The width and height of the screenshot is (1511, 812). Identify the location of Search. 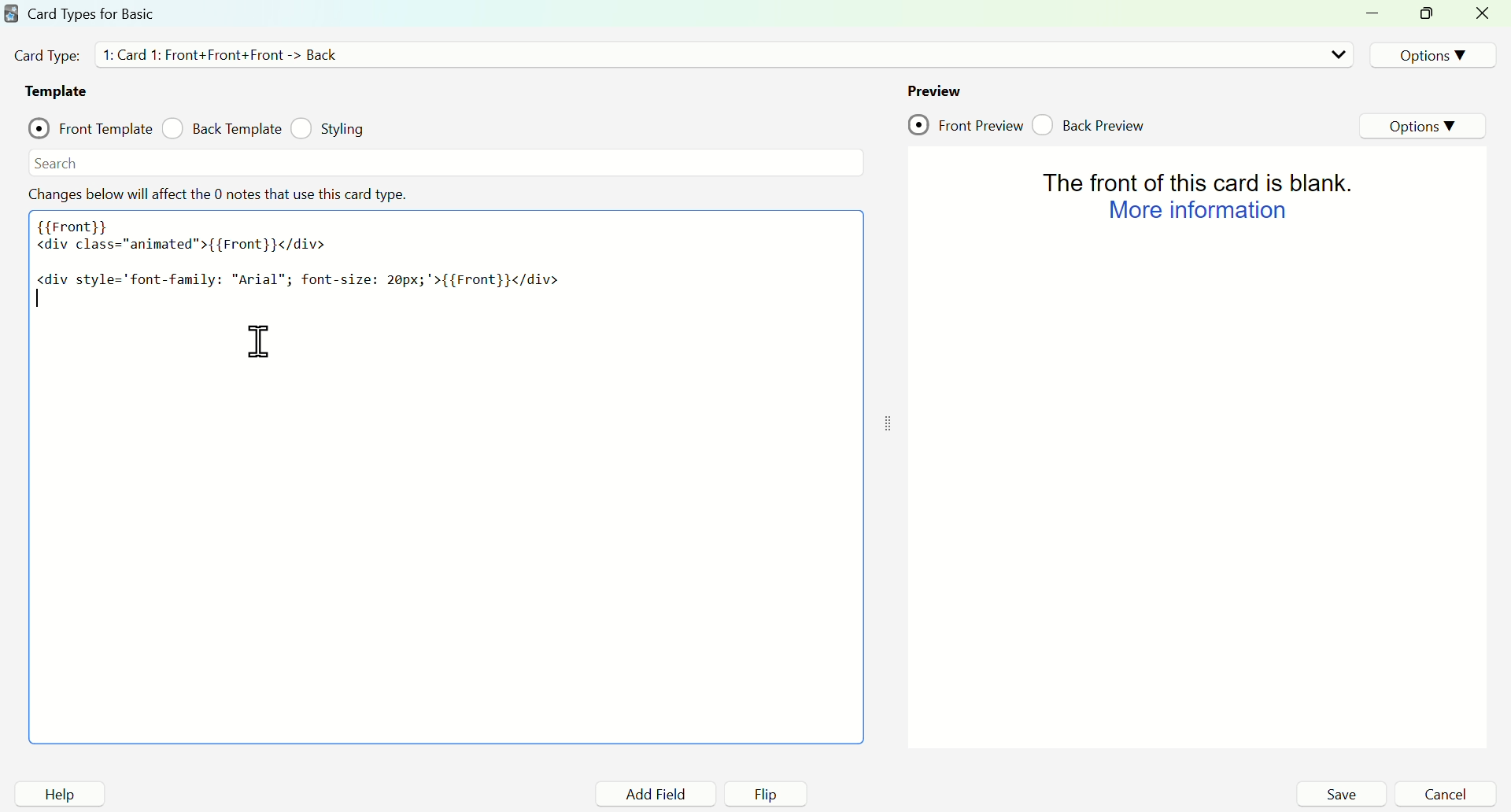
(57, 163).